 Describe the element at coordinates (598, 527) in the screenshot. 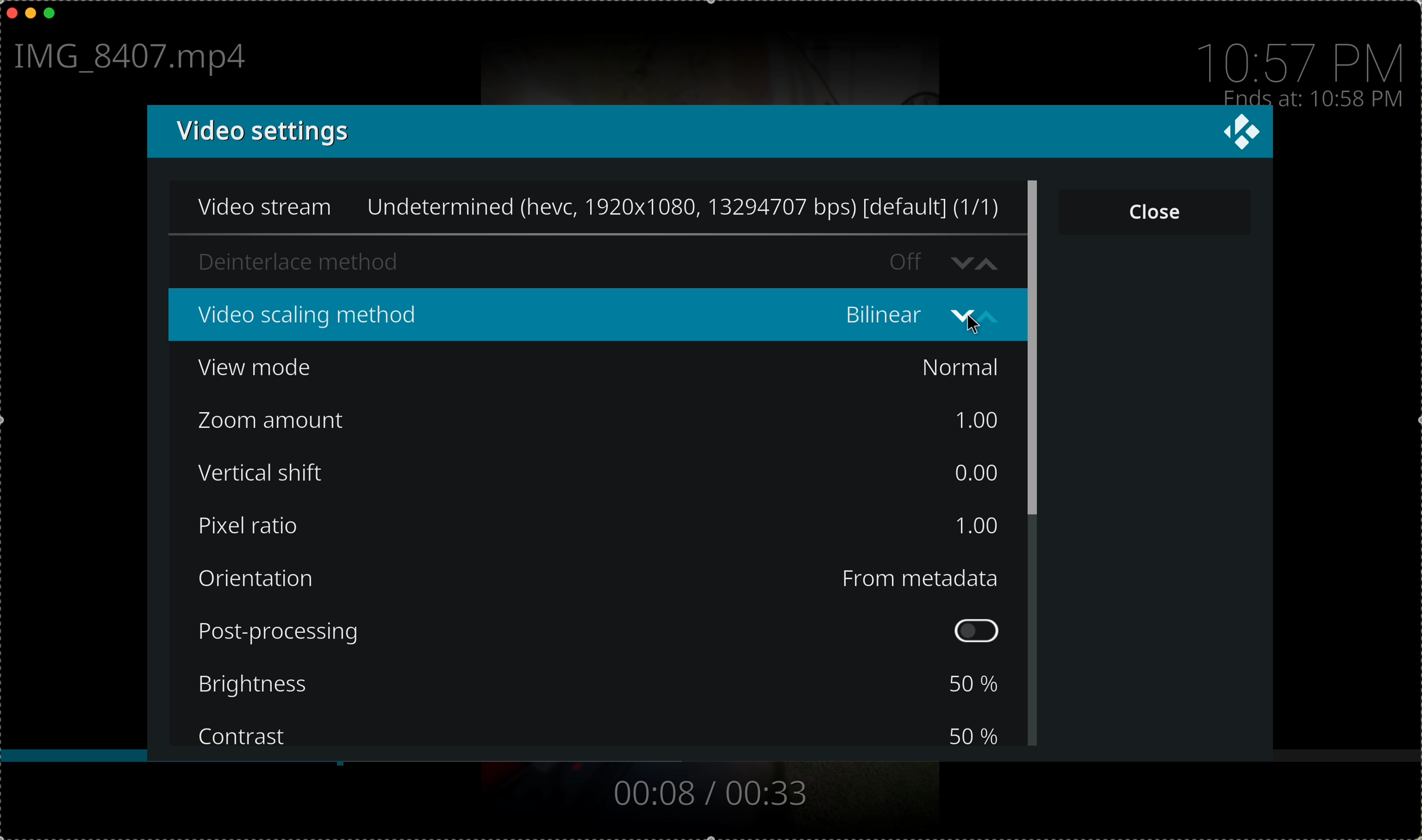

I see `pixel ratio 1.00` at that location.